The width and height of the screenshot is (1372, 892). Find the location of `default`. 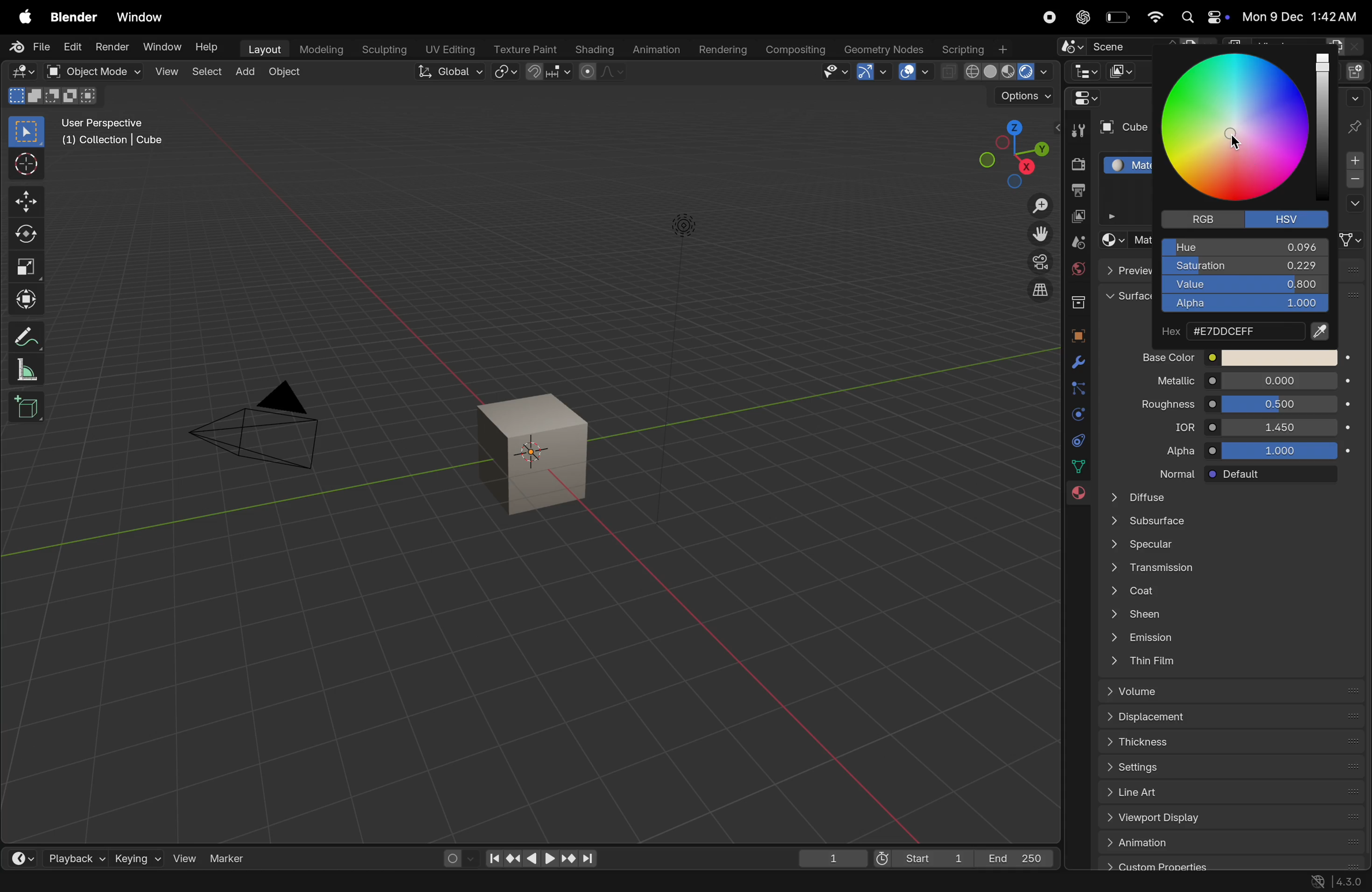

default is located at coordinates (1280, 475).